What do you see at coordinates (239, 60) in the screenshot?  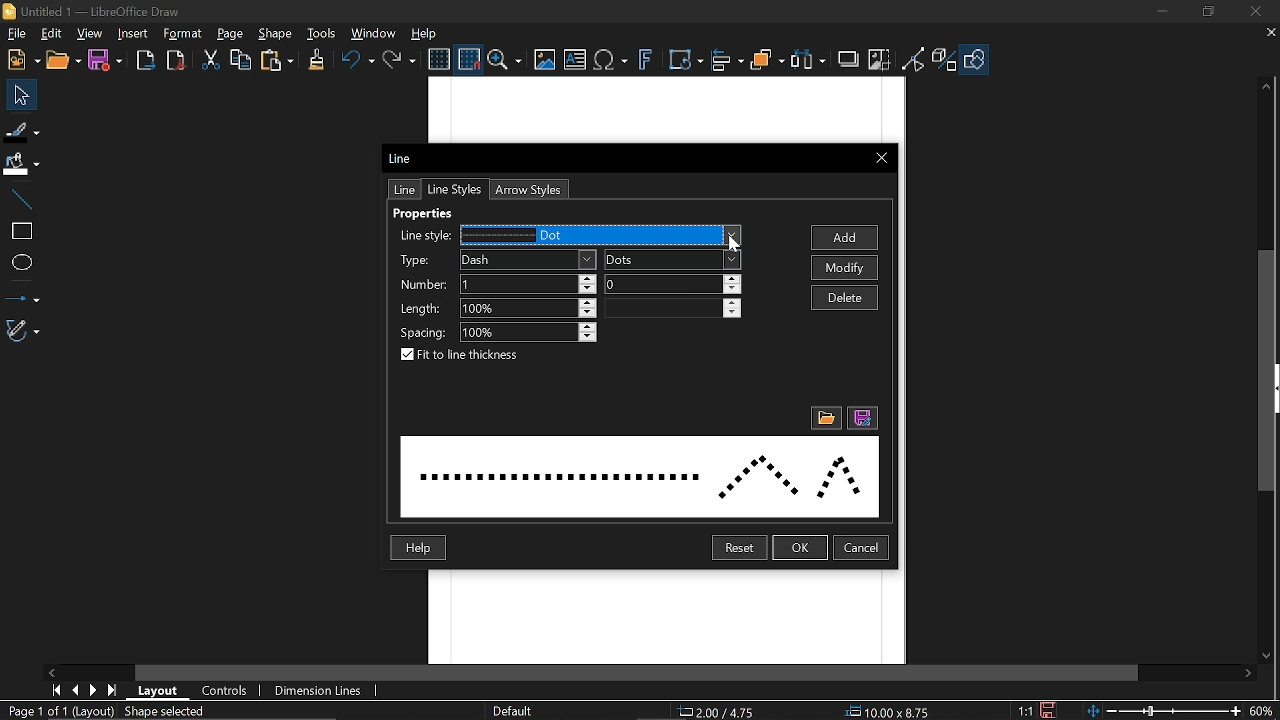 I see `Copy` at bounding box center [239, 60].